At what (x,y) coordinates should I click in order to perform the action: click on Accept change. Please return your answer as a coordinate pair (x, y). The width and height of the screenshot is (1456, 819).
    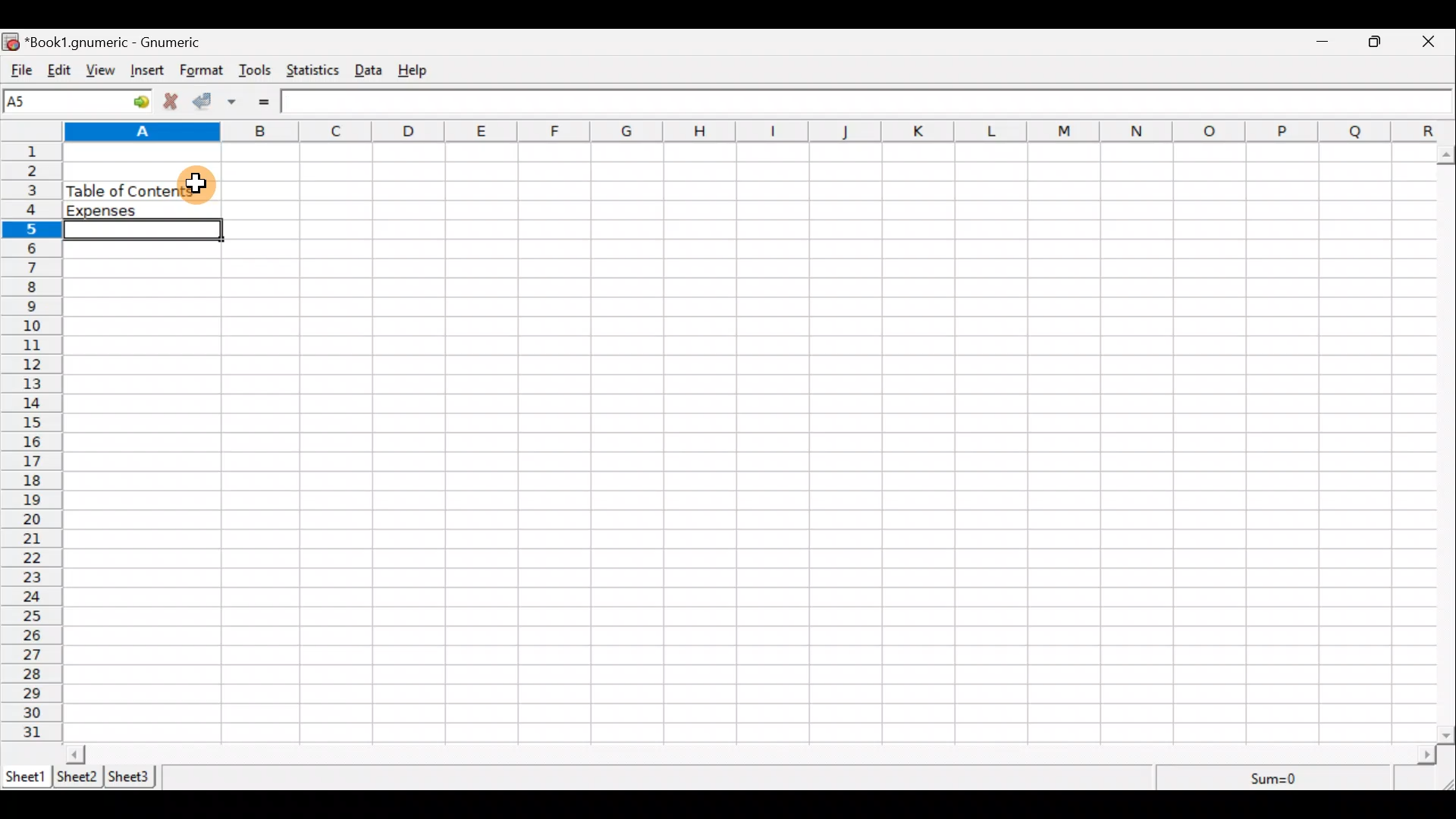
    Looking at the image, I should click on (206, 102).